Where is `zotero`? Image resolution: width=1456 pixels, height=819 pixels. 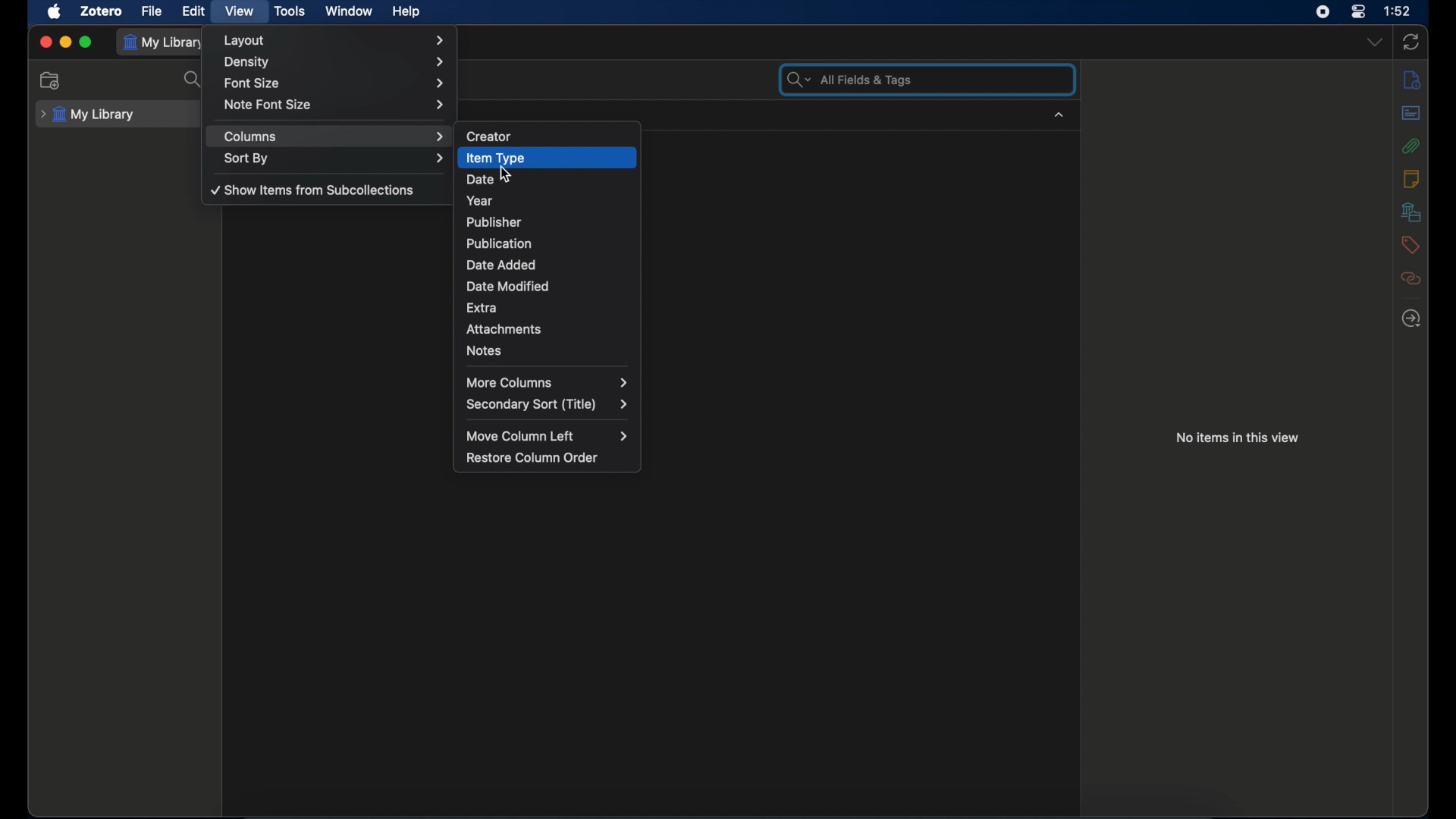
zotero is located at coordinates (103, 12).